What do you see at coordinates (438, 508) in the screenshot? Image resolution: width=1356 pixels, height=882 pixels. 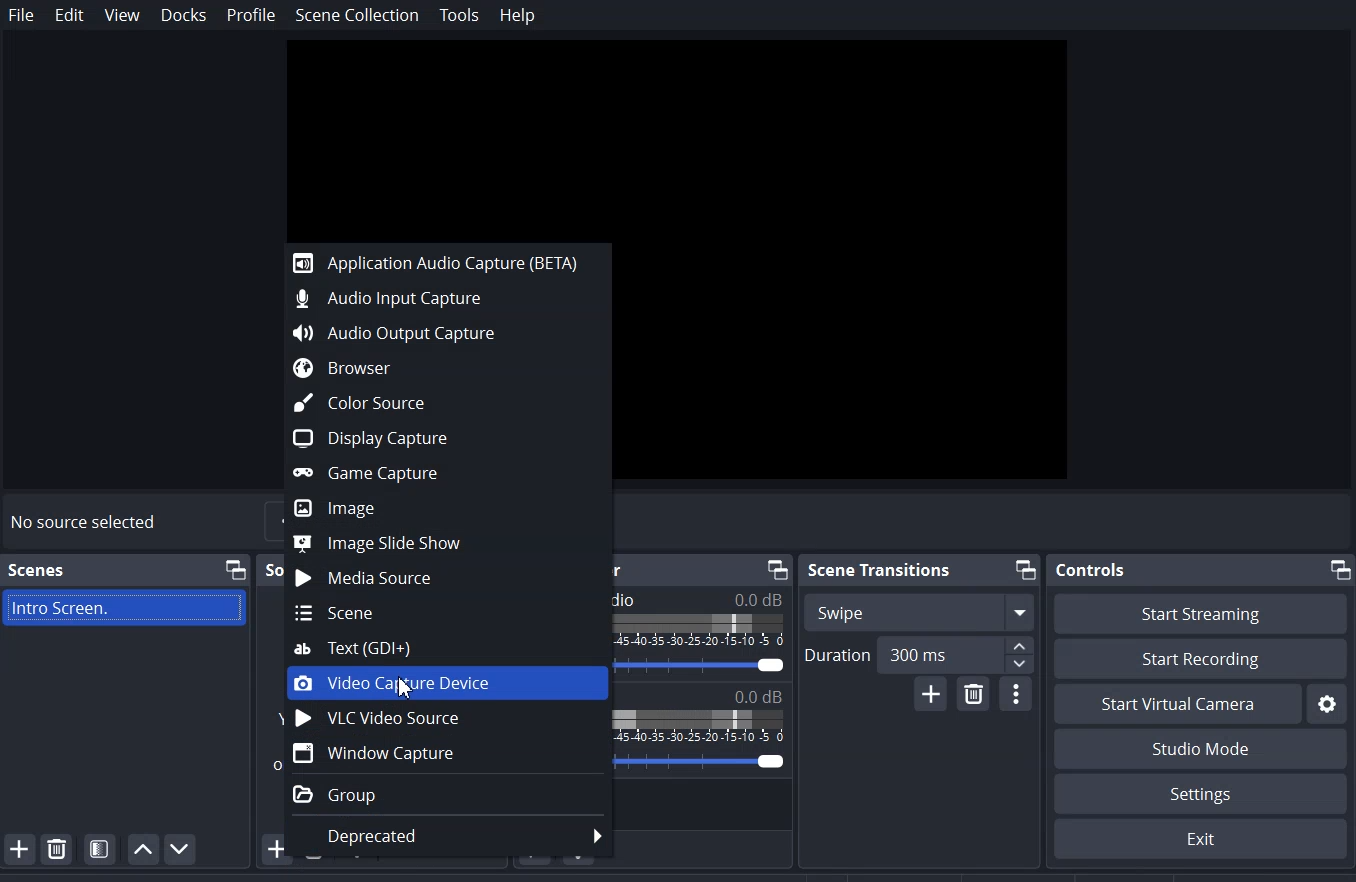 I see `Image` at bounding box center [438, 508].